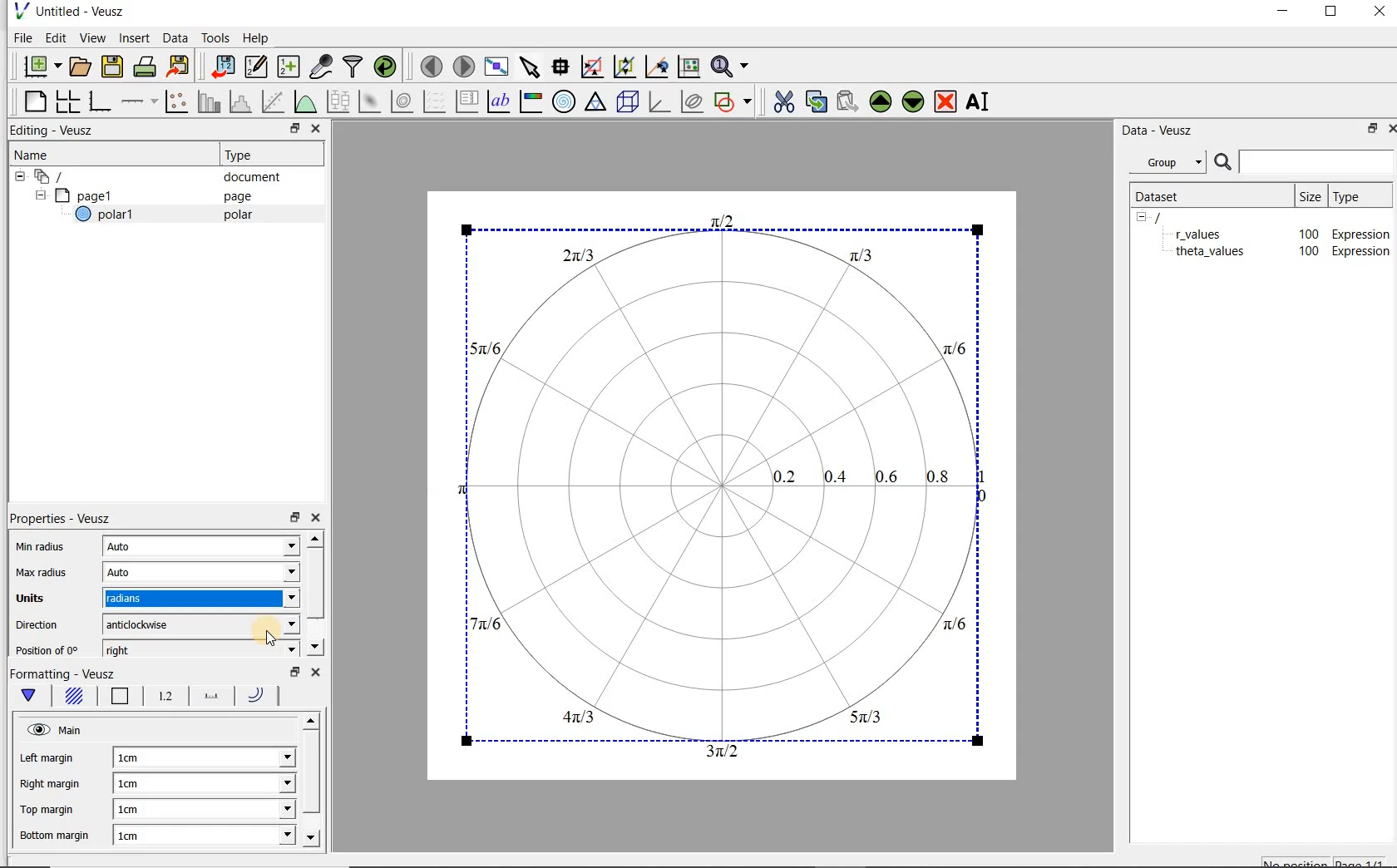  What do you see at coordinates (234, 196) in the screenshot?
I see `page` at bounding box center [234, 196].